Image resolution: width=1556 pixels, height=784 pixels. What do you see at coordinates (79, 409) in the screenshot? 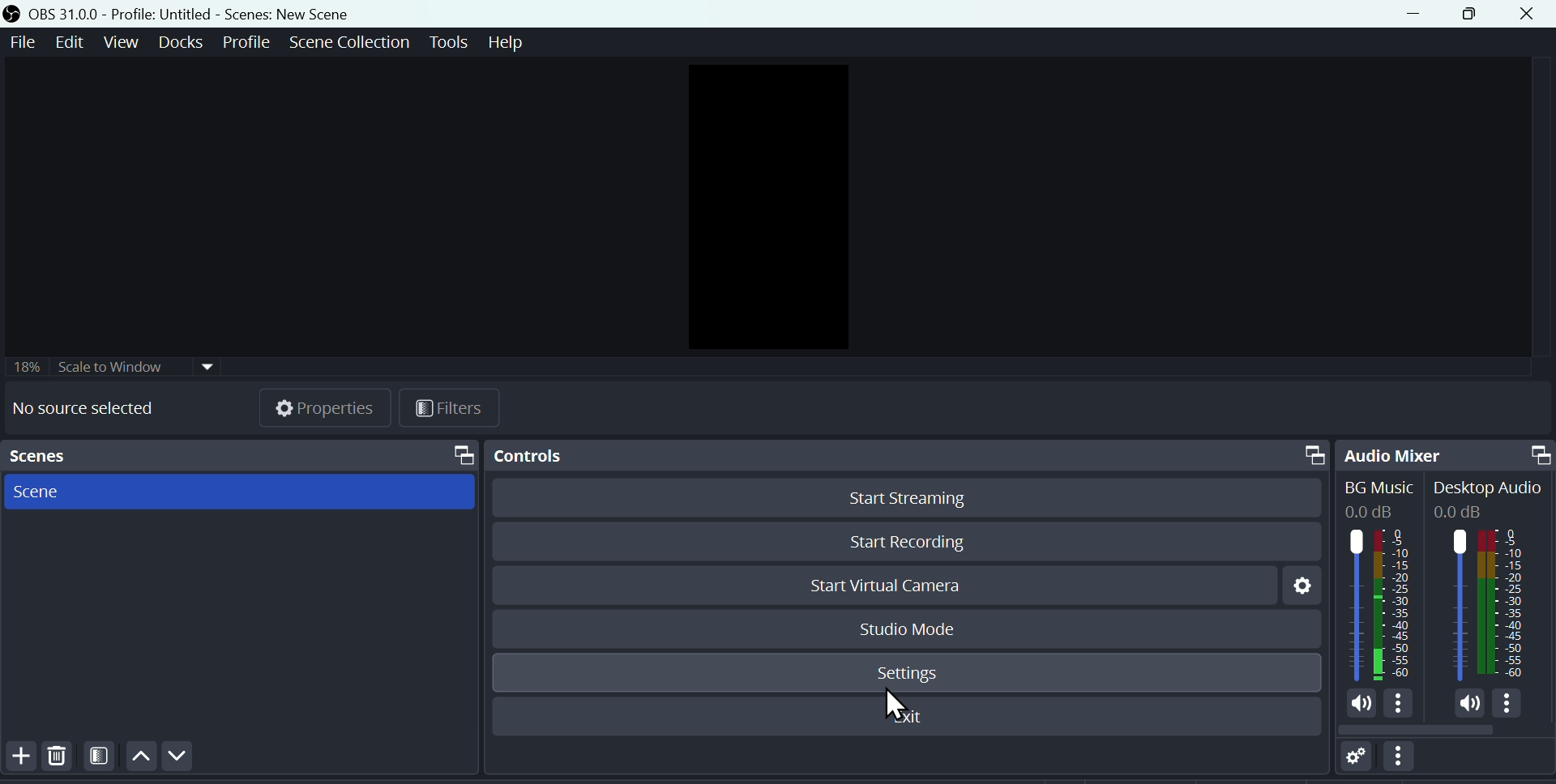
I see `No source selected` at bounding box center [79, 409].